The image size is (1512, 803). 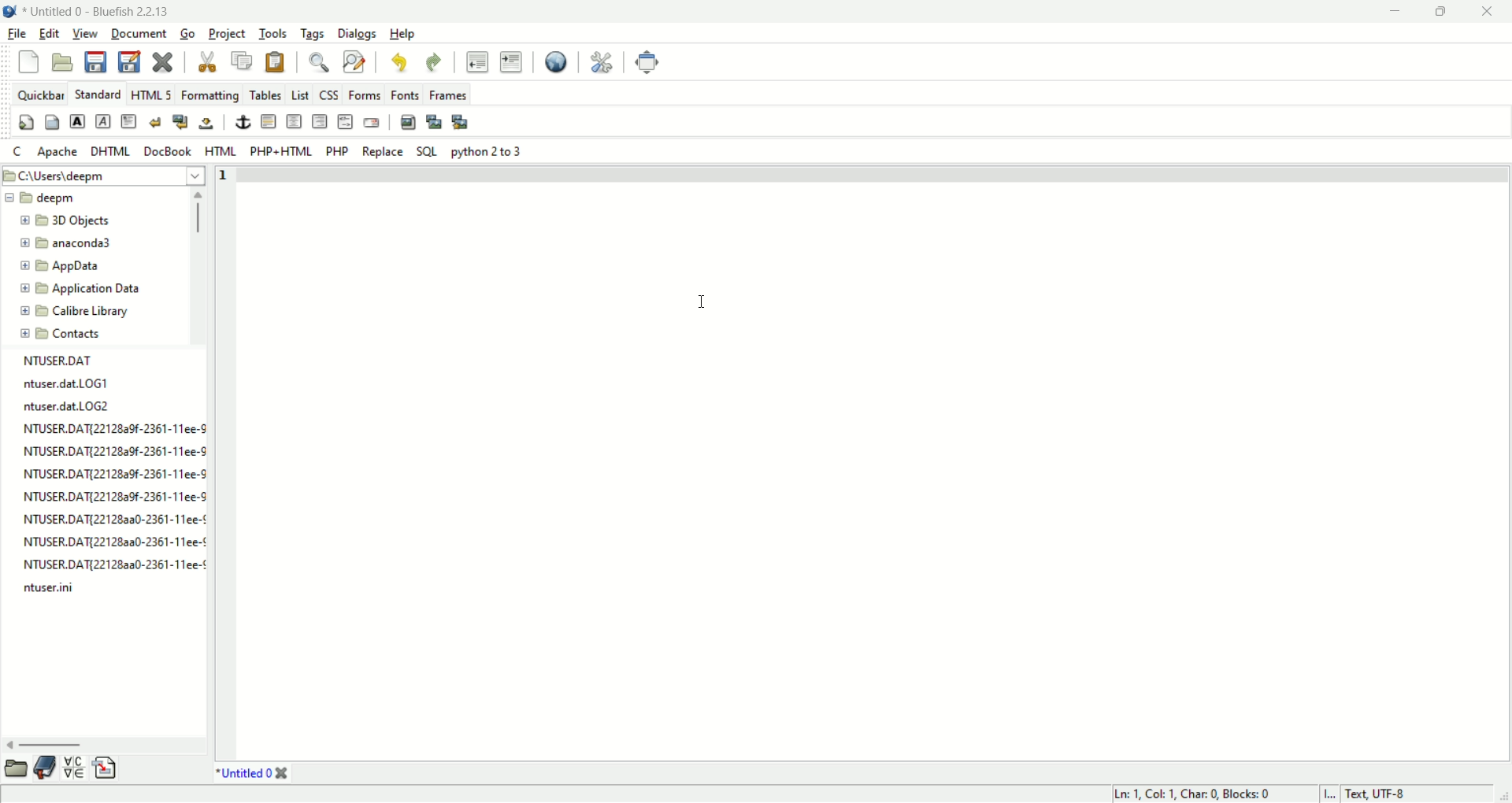 What do you see at coordinates (71, 383) in the screenshot?
I see `ntuser.dat.LOG1` at bounding box center [71, 383].